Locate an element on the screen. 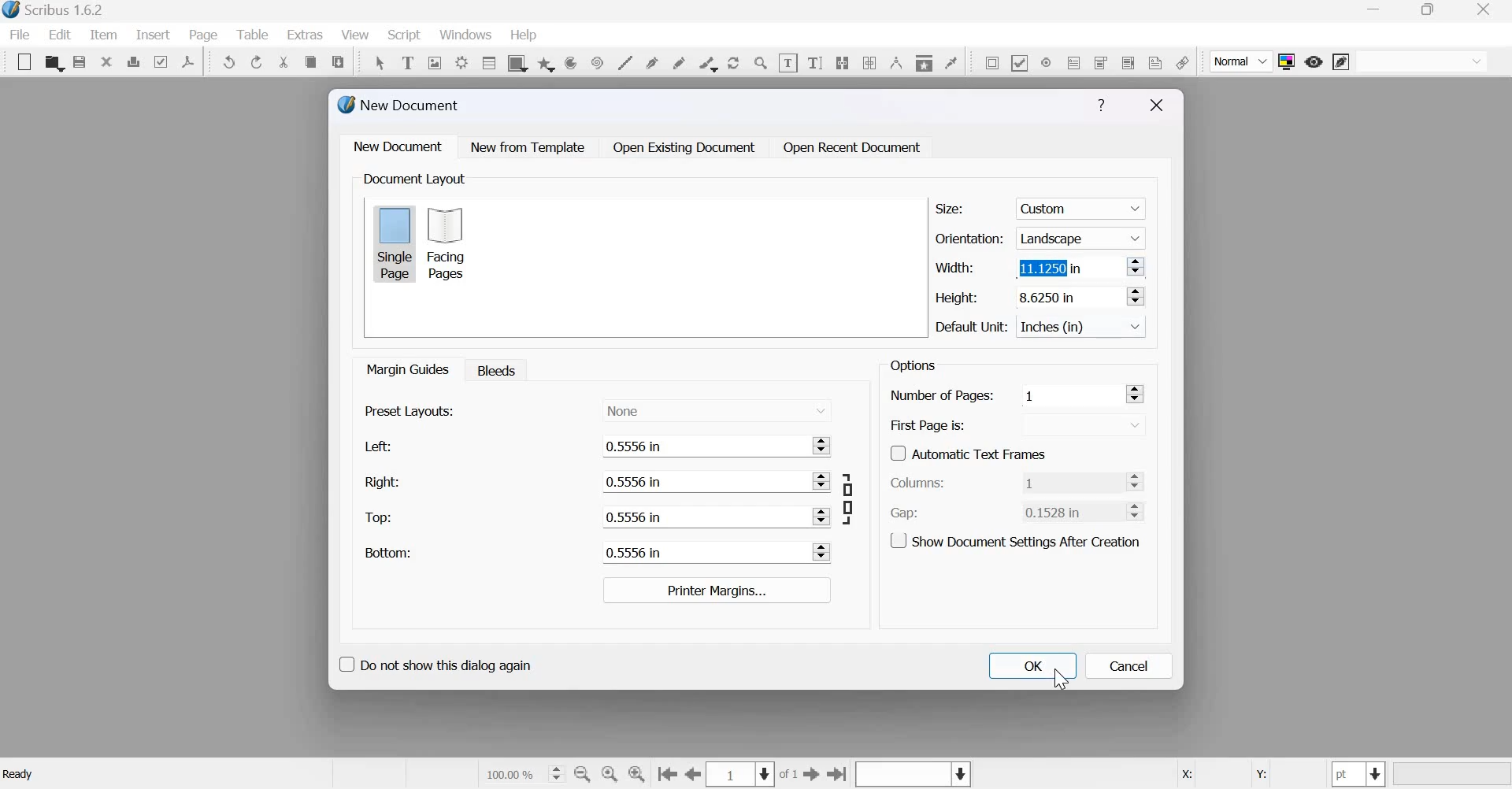 Image resolution: width=1512 pixels, height=789 pixels. Height: is located at coordinates (957, 298).